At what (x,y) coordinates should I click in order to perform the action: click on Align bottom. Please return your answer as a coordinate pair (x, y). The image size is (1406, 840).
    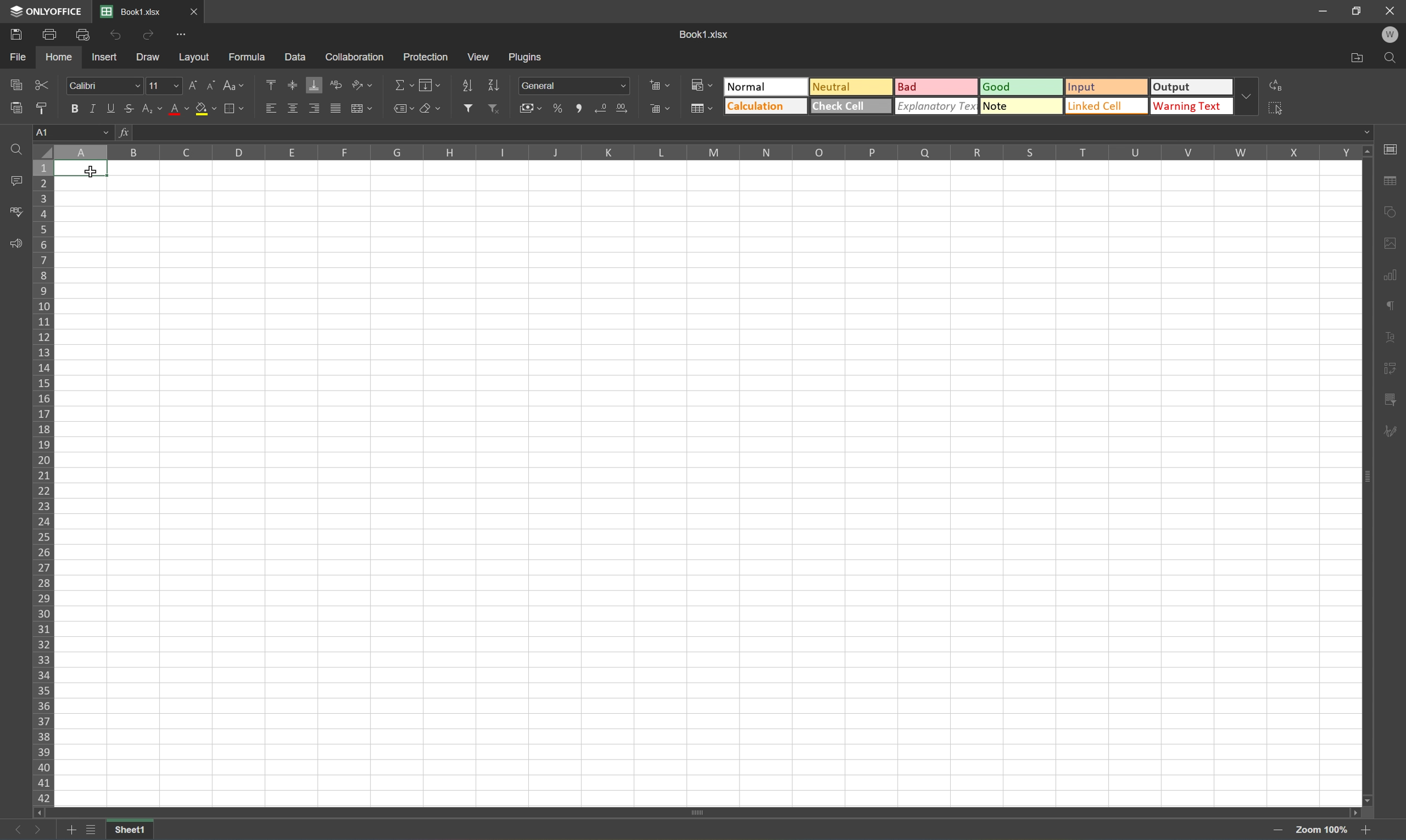
    Looking at the image, I should click on (314, 84).